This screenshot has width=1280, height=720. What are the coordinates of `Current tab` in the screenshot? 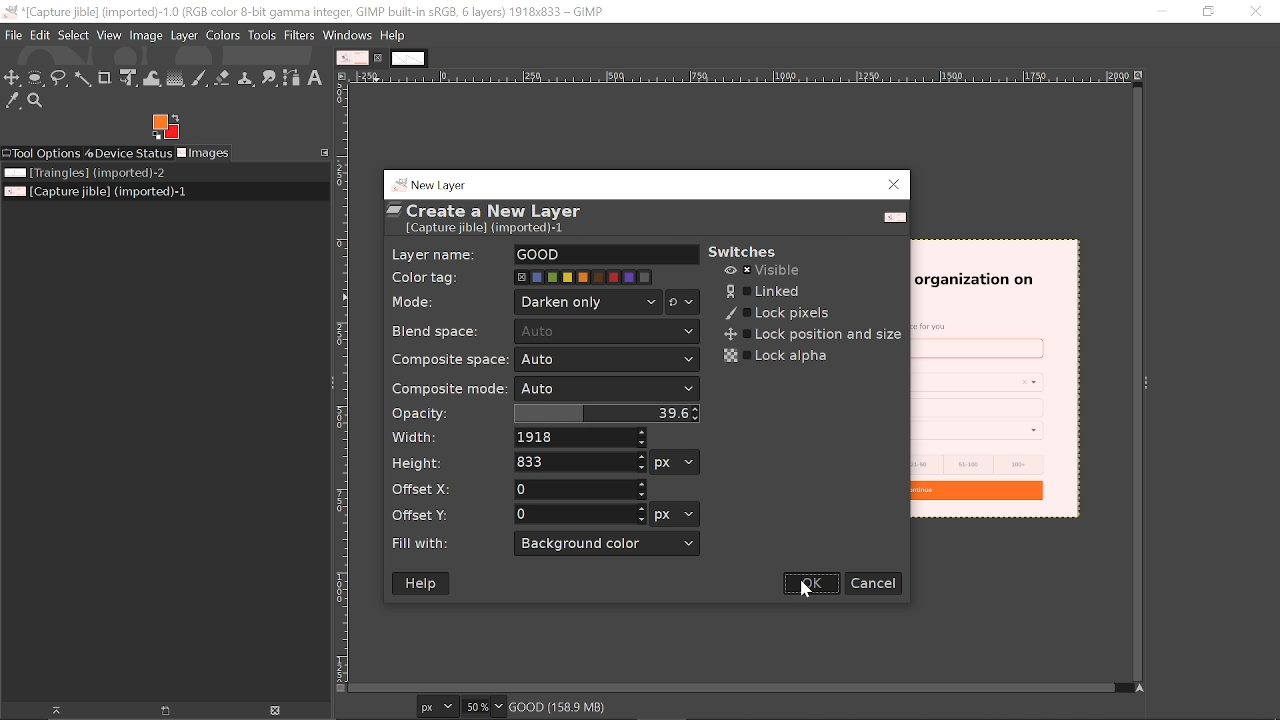 It's located at (353, 58).